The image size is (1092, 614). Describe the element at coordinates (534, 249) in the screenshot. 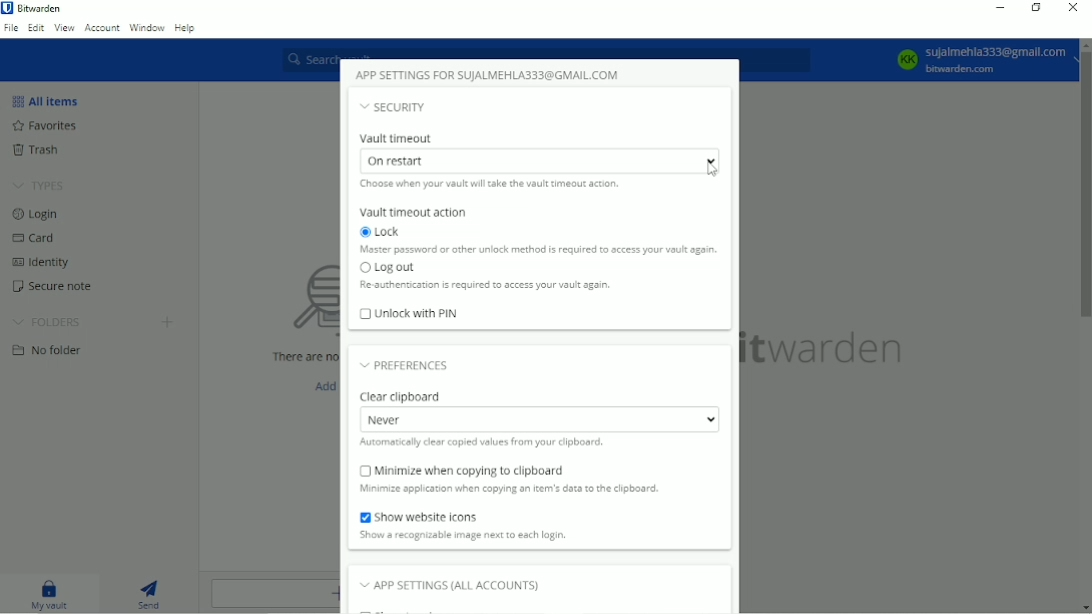

I see `Master password or other unlock method is required to access your vault again.` at that location.